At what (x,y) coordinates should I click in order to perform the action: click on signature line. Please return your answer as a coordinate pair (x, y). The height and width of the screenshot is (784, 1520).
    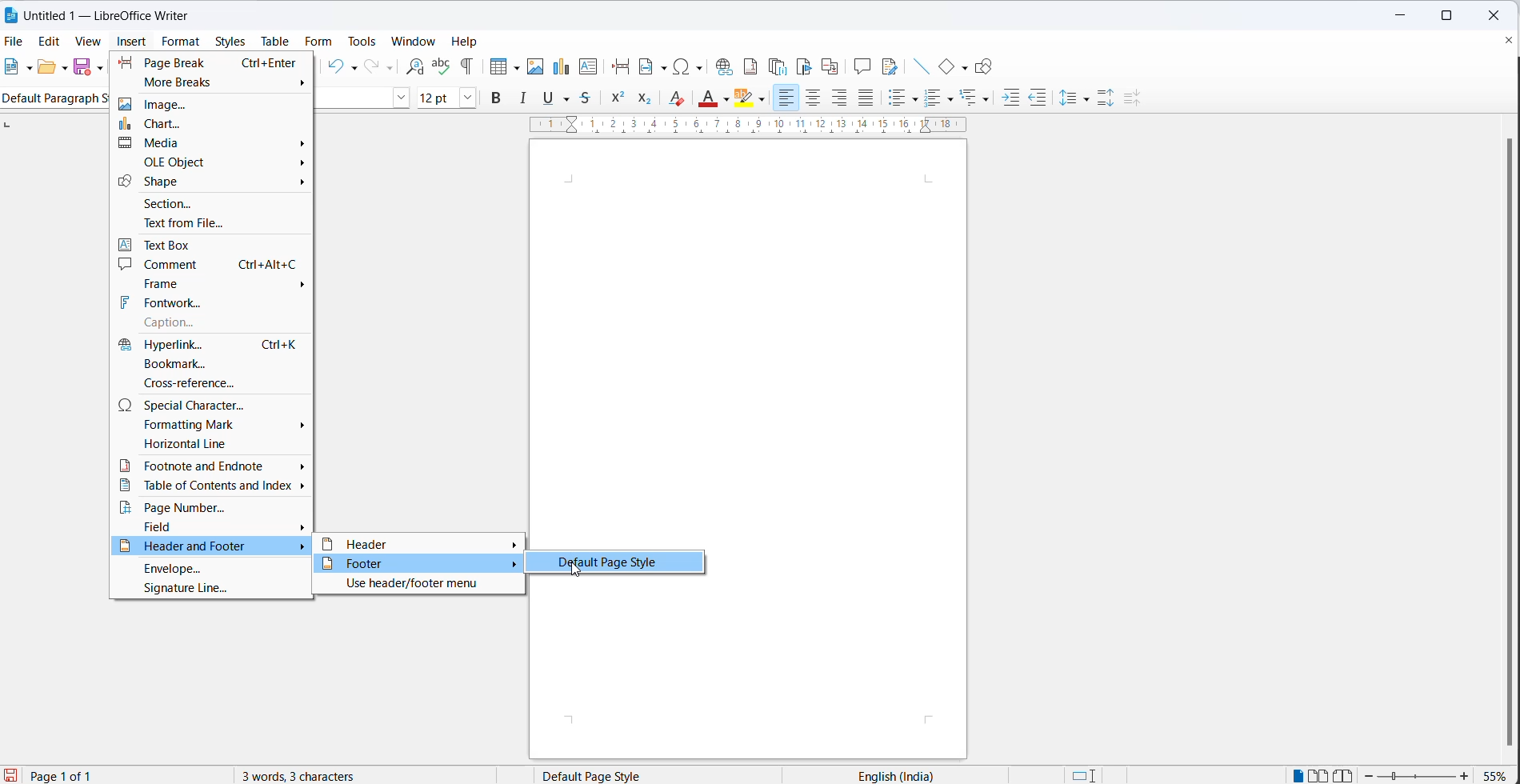
    Looking at the image, I should click on (210, 590).